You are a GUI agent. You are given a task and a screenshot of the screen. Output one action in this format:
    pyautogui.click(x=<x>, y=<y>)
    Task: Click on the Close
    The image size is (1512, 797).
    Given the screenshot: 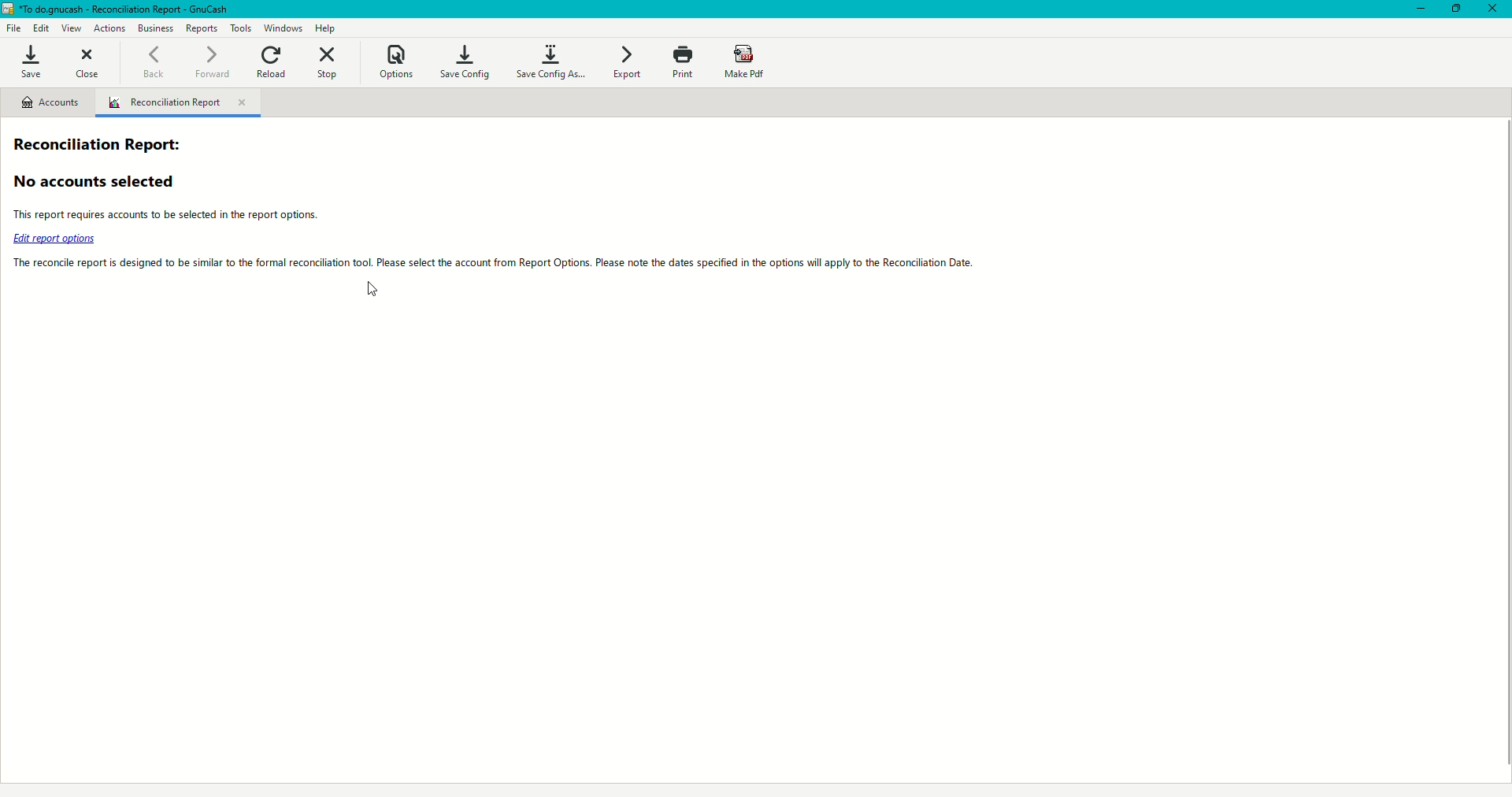 What is the action you would take?
    pyautogui.click(x=1492, y=9)
    